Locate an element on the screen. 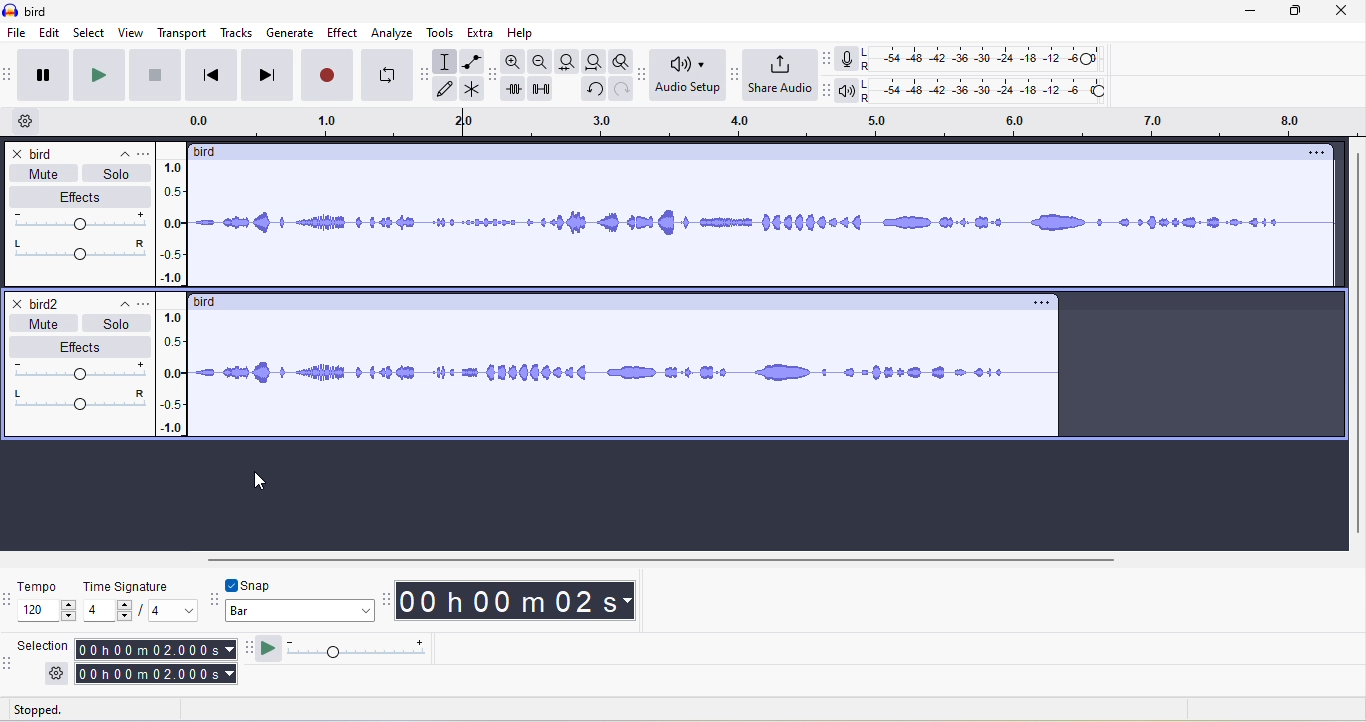  waveform is located at coordinates (624, 374).